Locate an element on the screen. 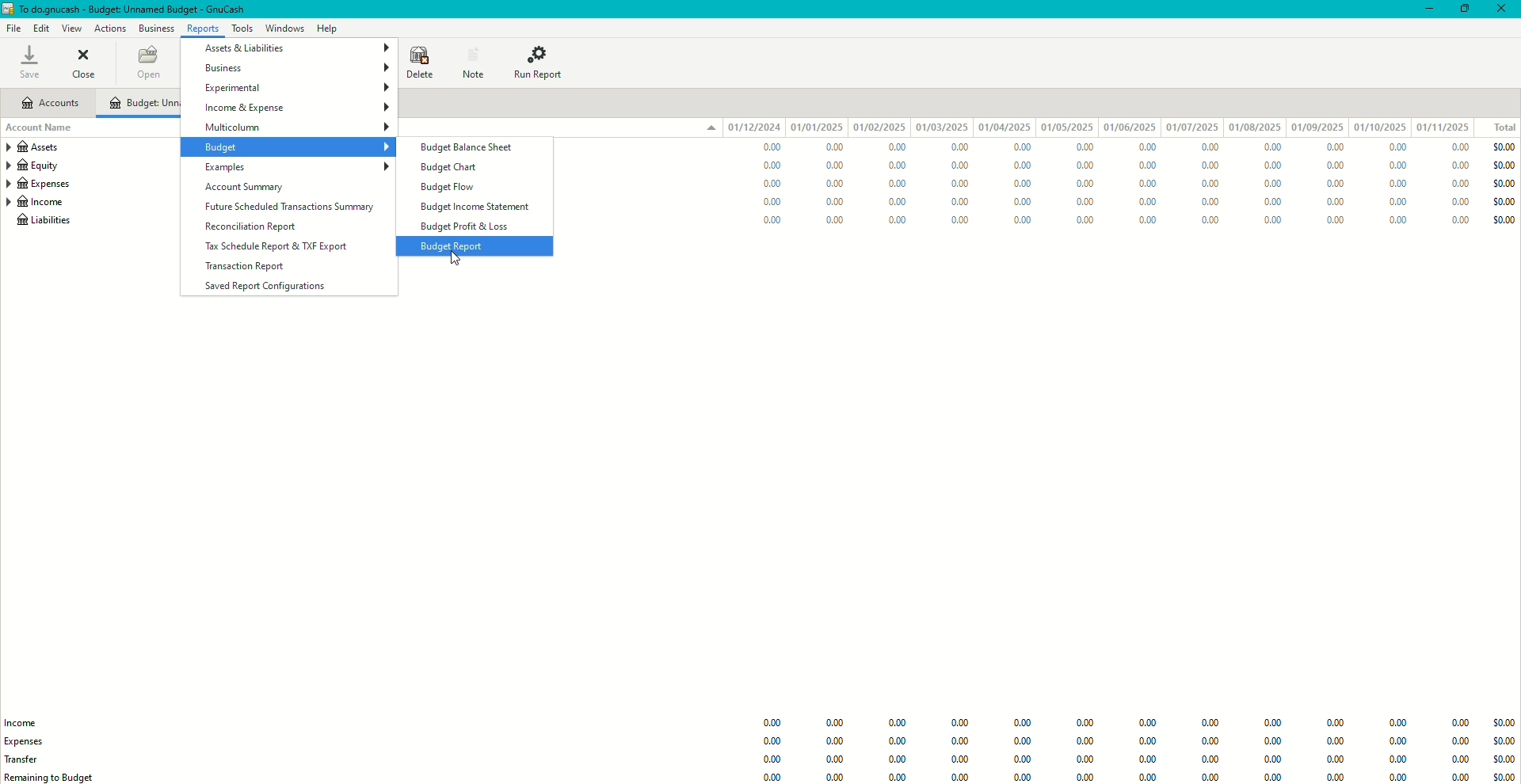  0.00 is located at coordinates (1274, 203).